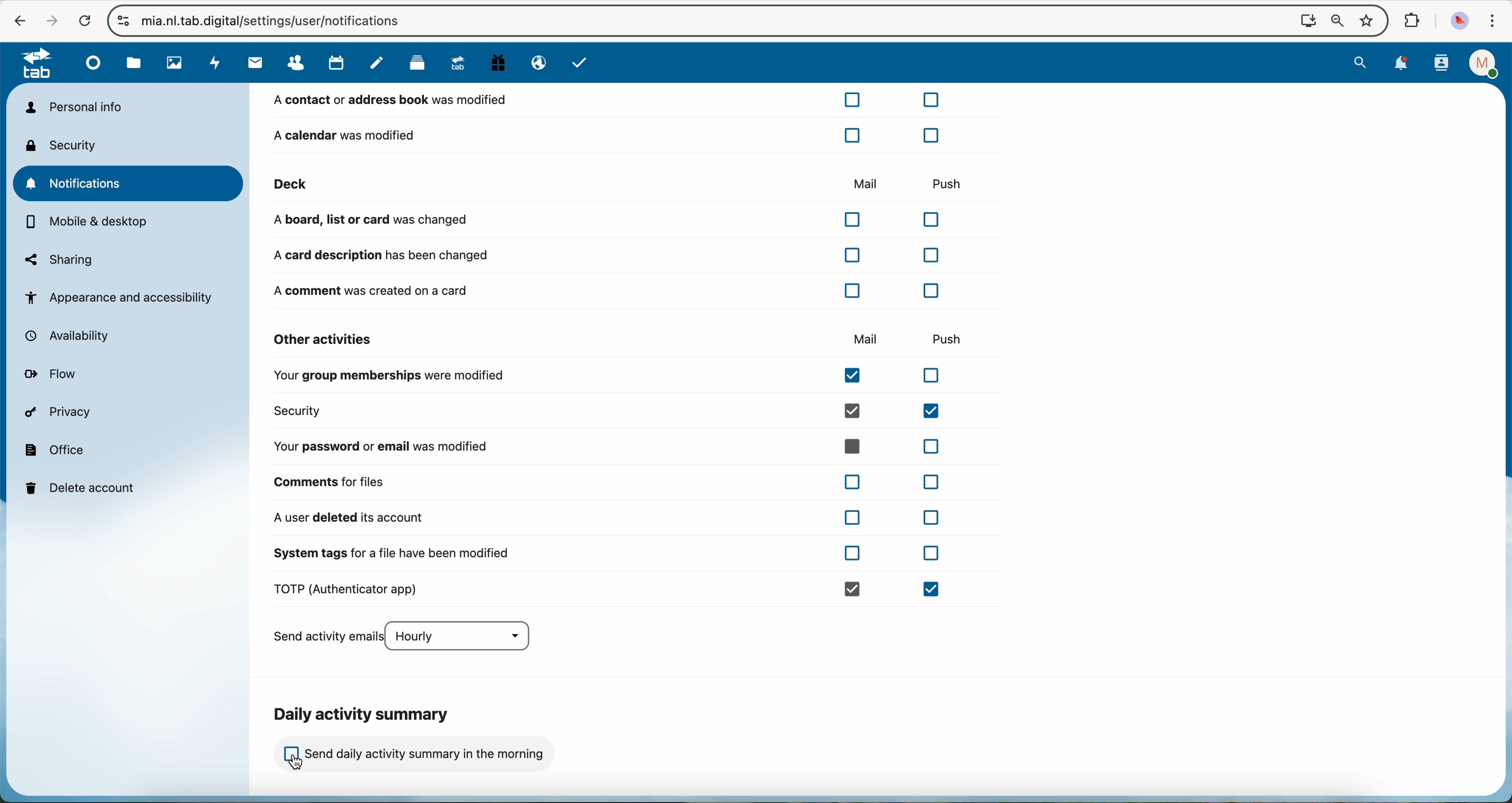 This screenshot has height=803, width=1512. What do you see at coordinates (134, 63) in the screenshot?
I see `file` at bounding box center [134, 63].